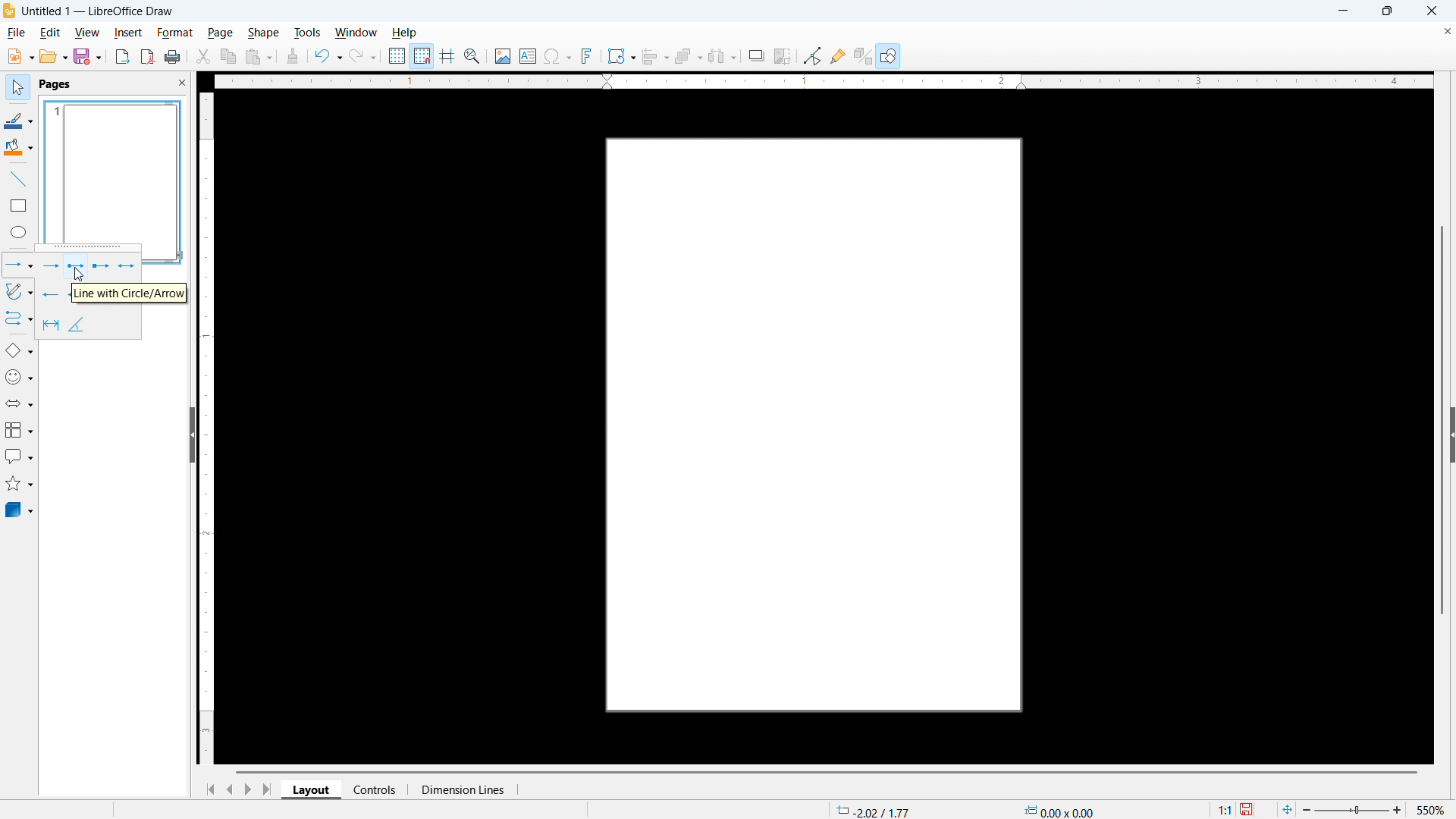 The image size is (1456, 819). Describe the element at coordinates (422, 56) in the screenshot. I see `Snap to grid ` at that location.